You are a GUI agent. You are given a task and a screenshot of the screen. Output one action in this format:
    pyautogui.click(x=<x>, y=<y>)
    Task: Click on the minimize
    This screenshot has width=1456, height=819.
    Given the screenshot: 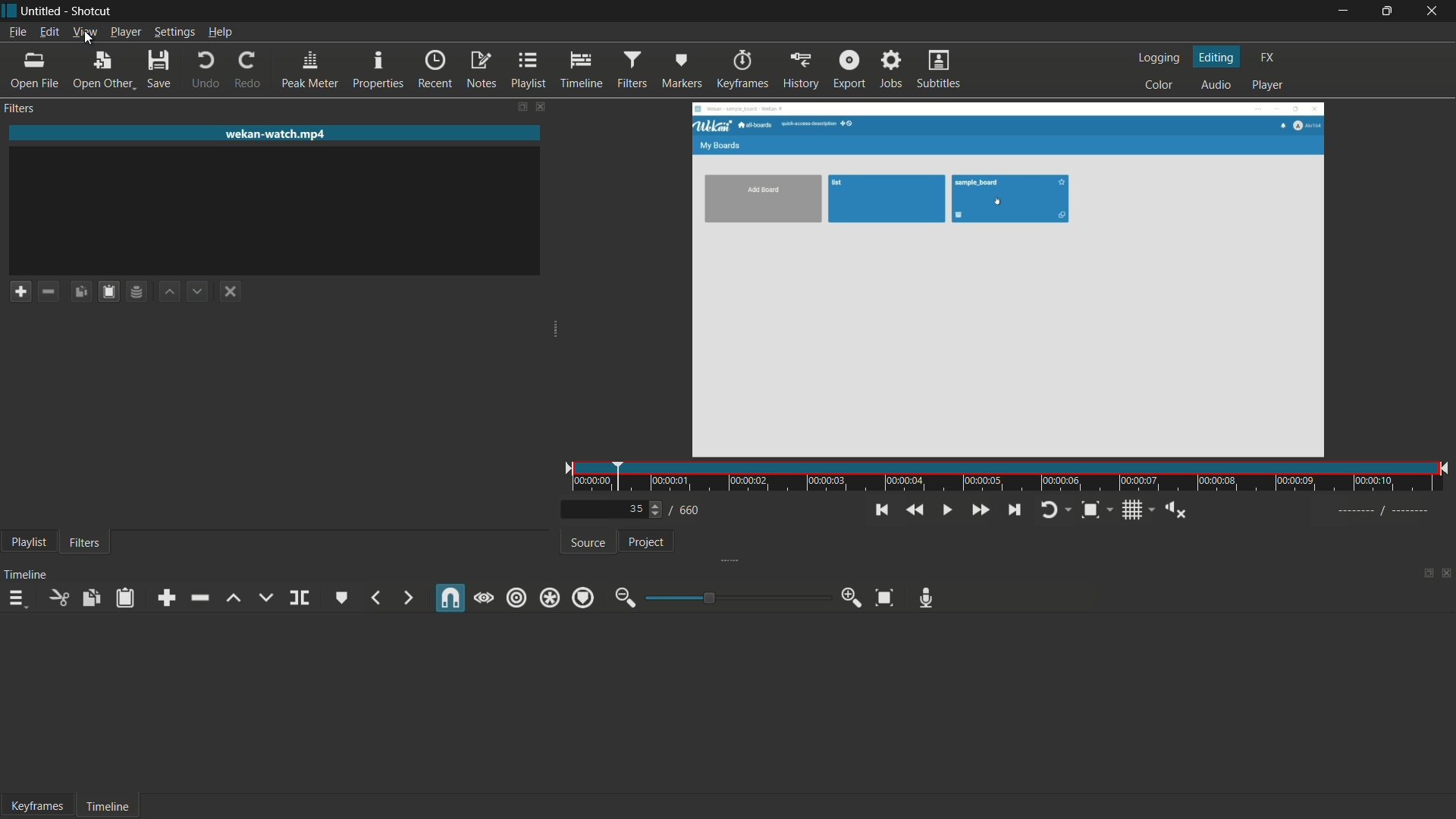 What is the action you would take?
    pyautogui.click(x=1341, y=11)
    